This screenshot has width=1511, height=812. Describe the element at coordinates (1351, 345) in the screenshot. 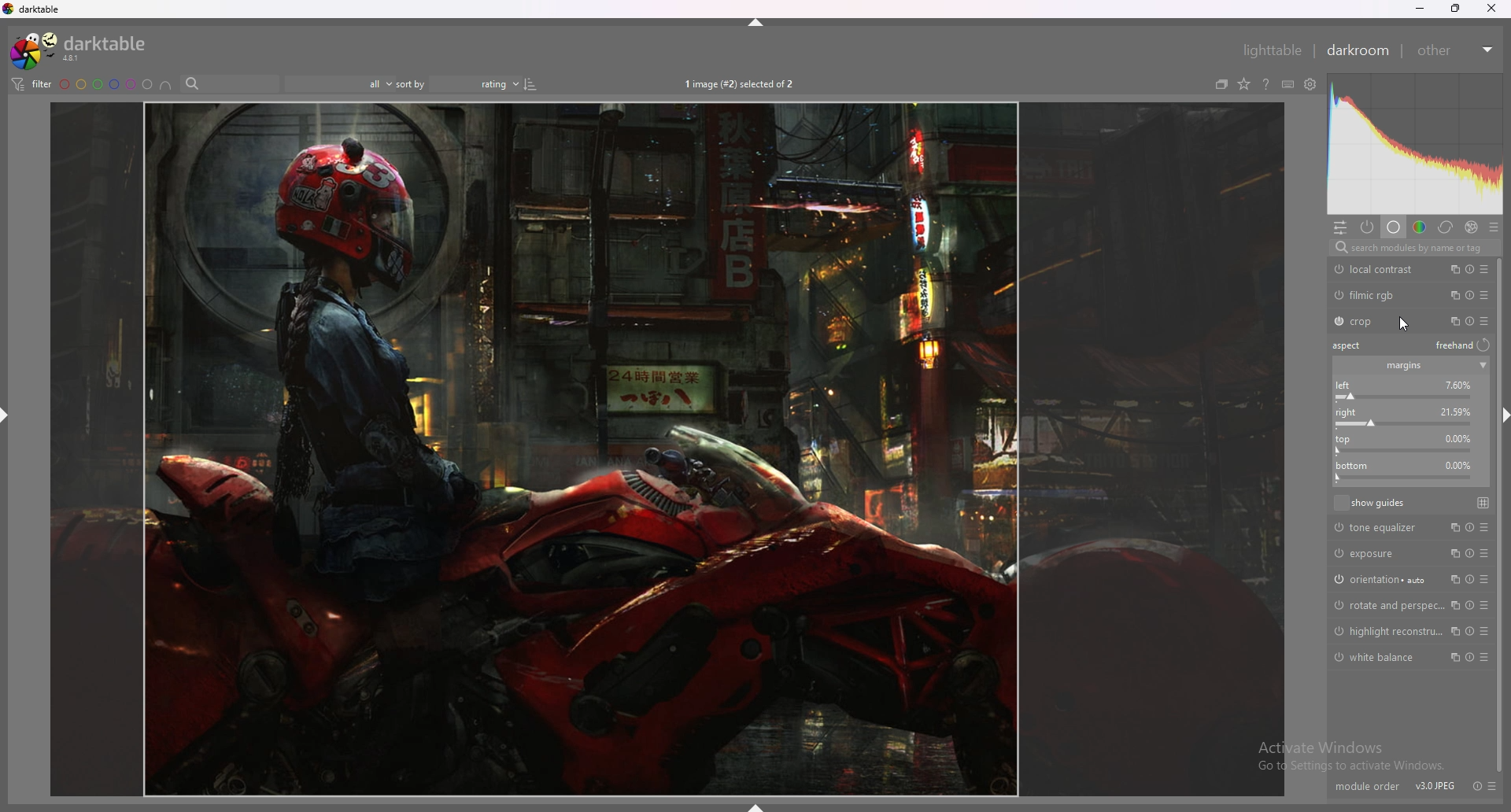

I see `aspect` at that location.